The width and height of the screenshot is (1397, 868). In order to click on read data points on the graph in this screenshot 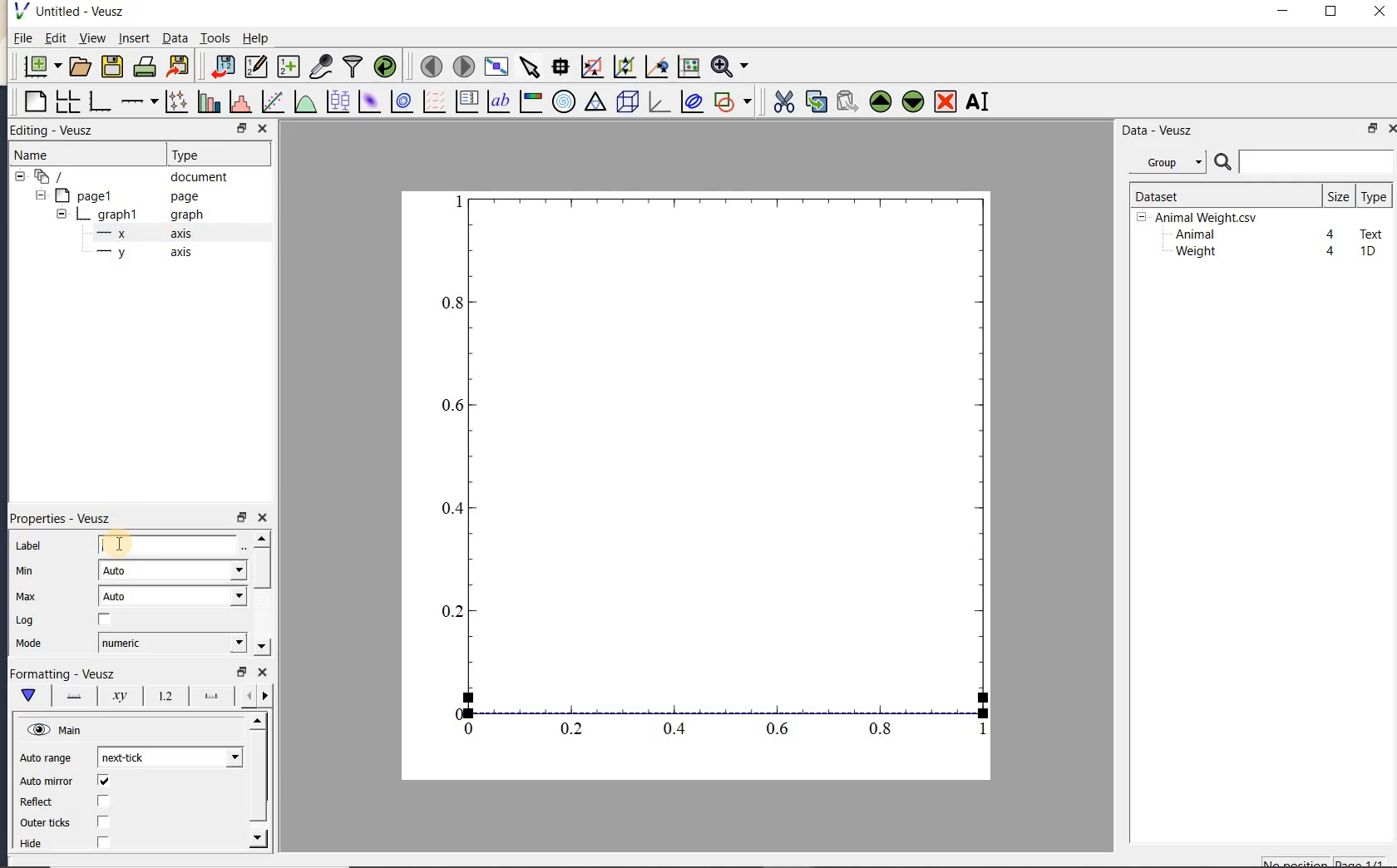, I will do `click(560, 67)`.